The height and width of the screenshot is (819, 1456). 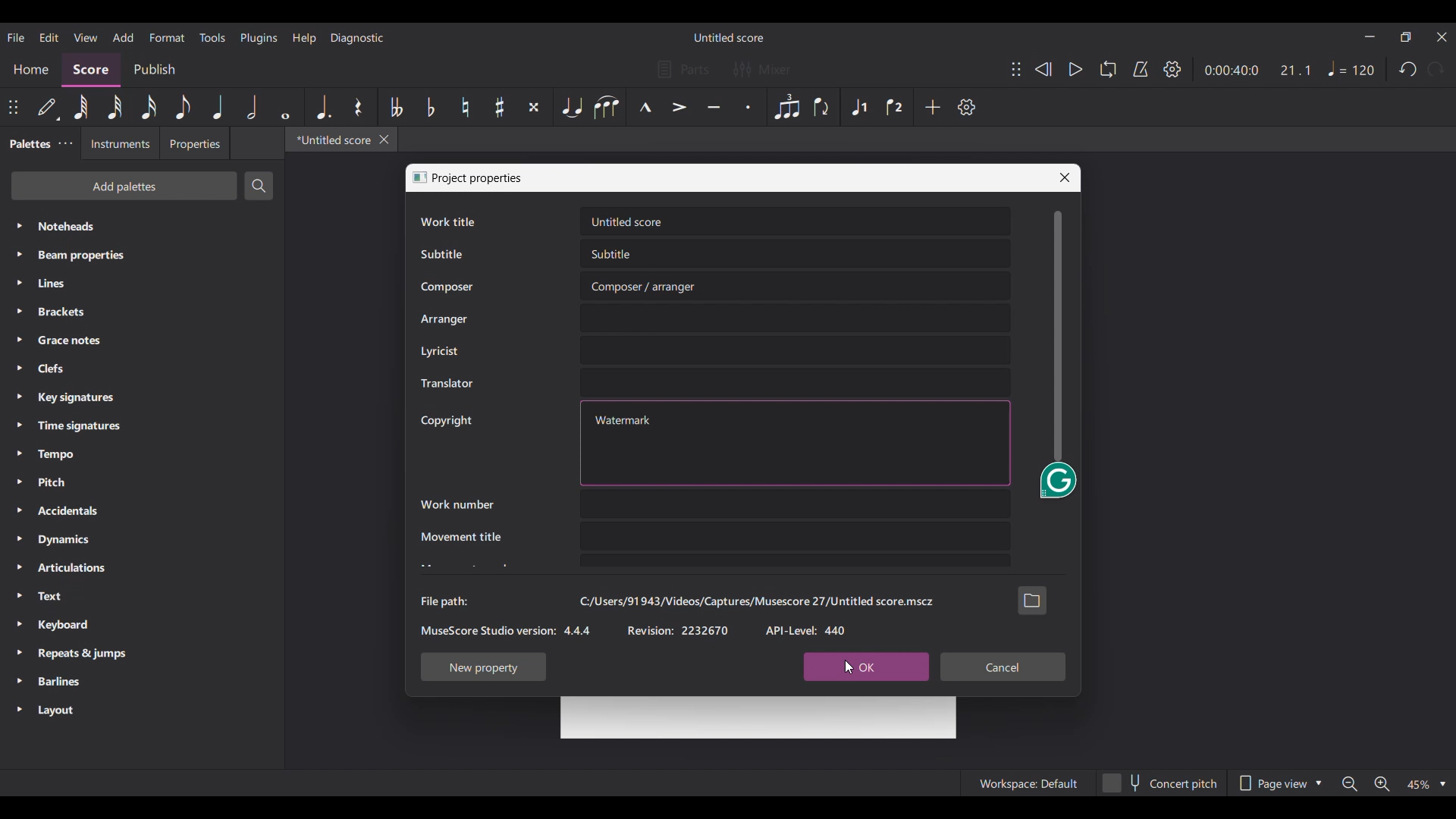 I want to click on Zoom options, so click(x=1426, y=784).